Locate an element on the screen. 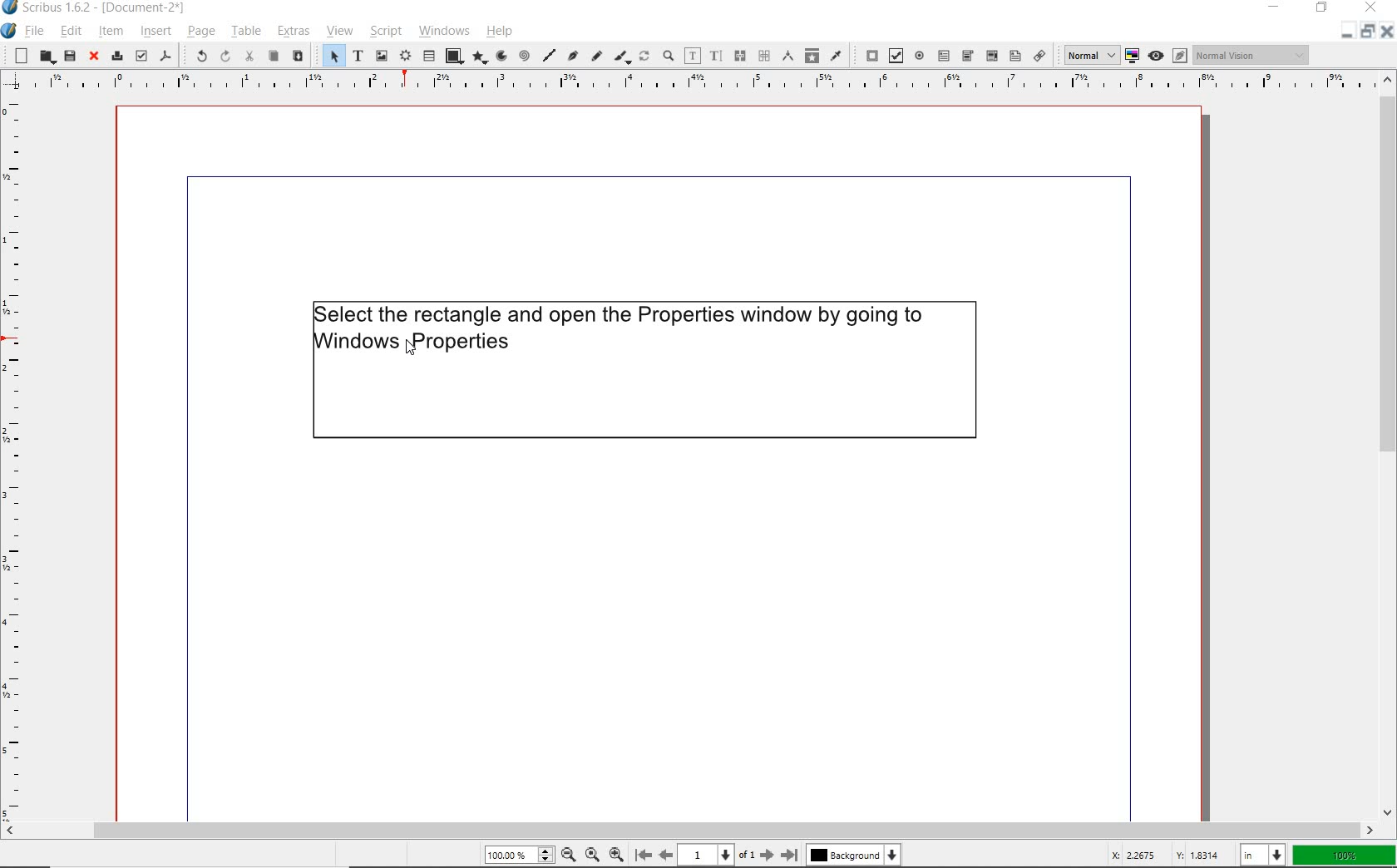  text frame is located at coordinates (358, 57).